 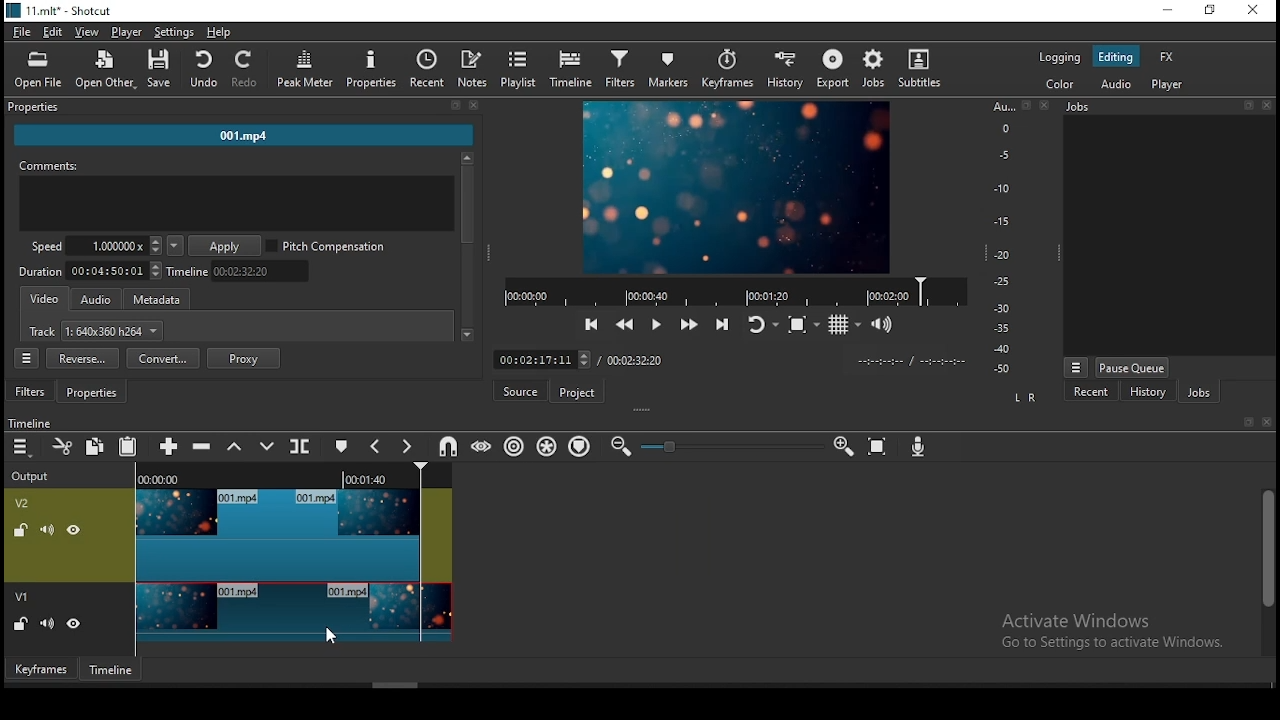 I want to click on markers, so click(x=672, y=70).